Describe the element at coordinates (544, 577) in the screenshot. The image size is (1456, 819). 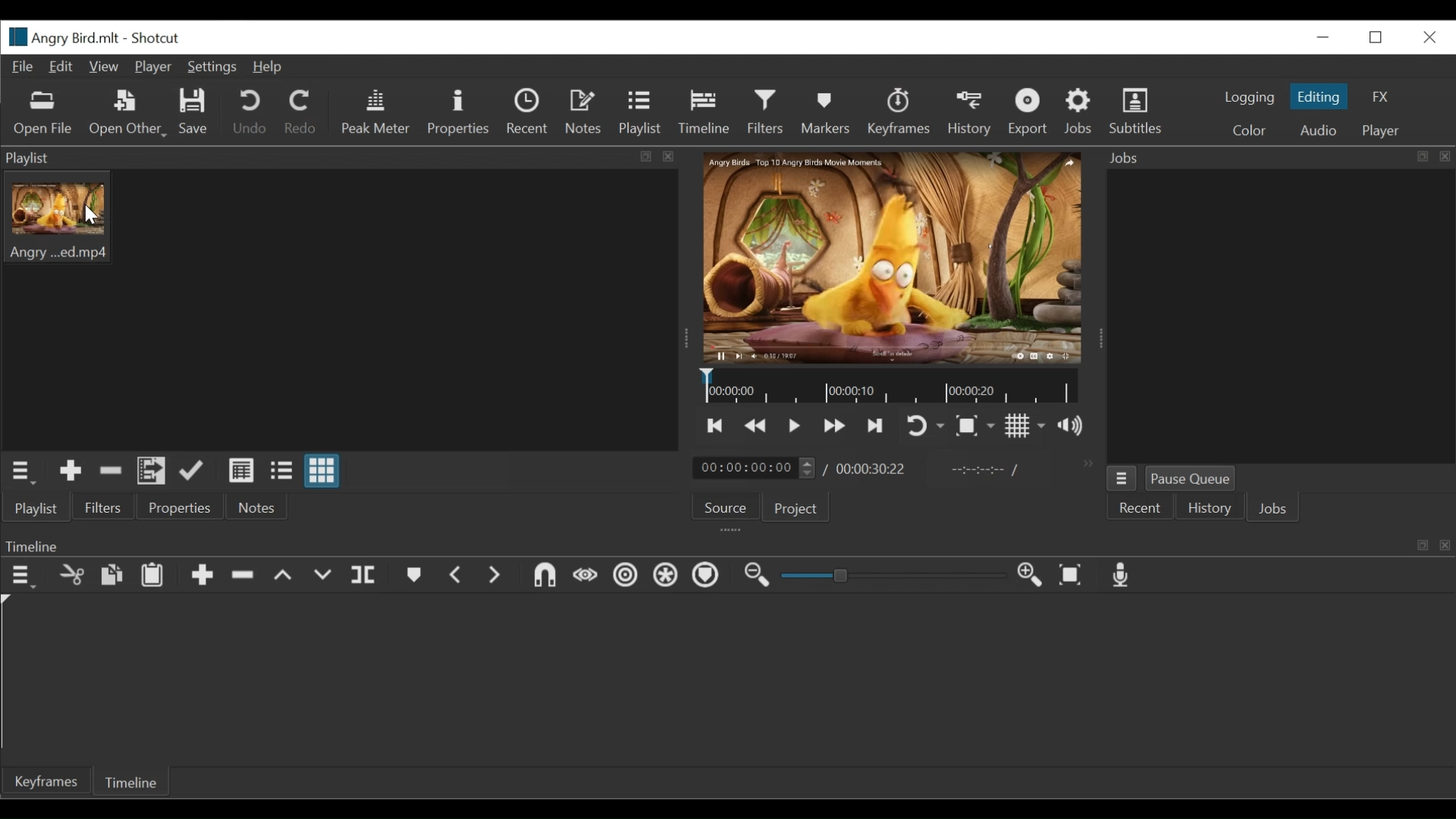
I see `Snap  ` at that location.